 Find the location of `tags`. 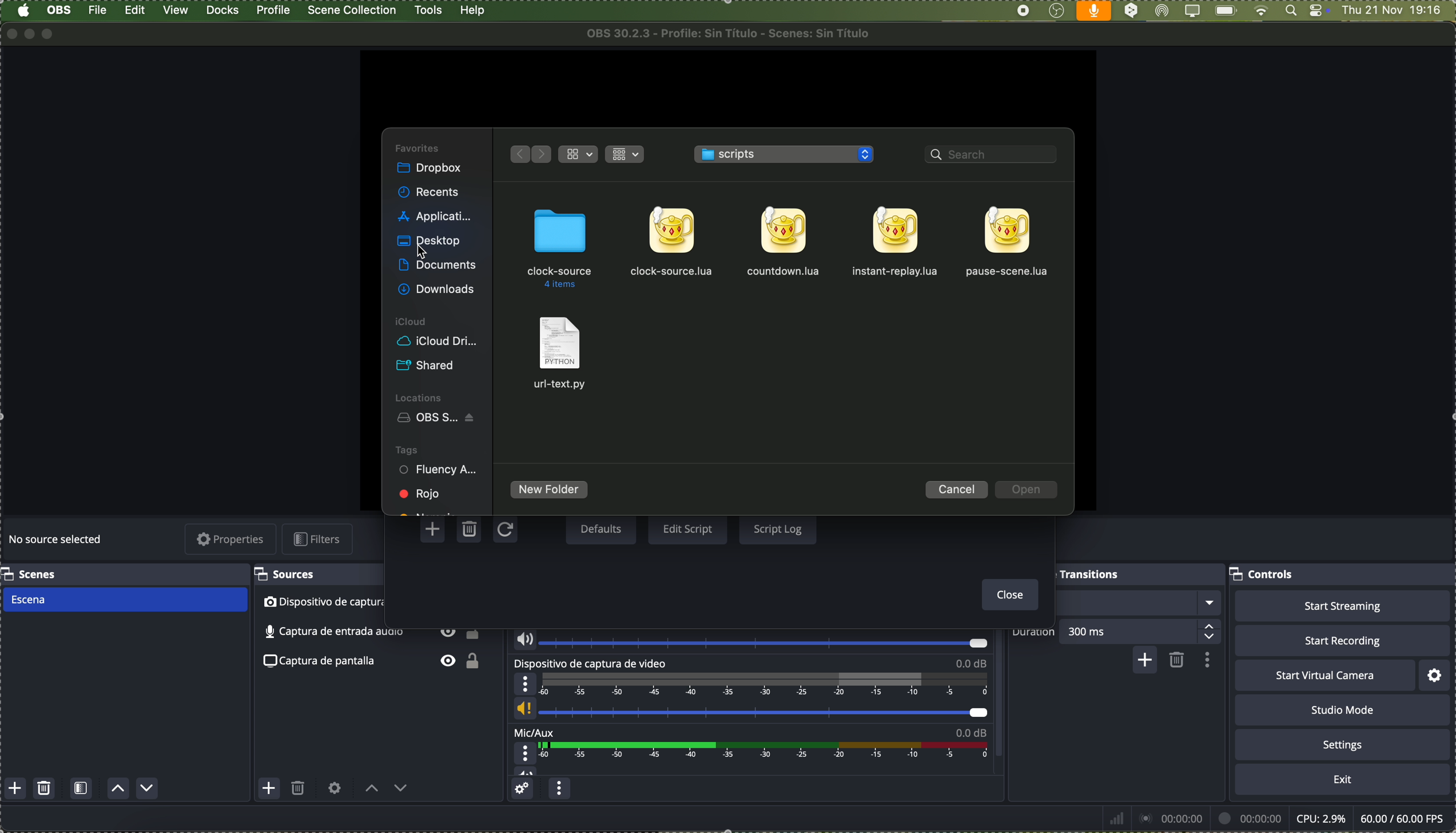

tags is located at coordinates (407, 449).